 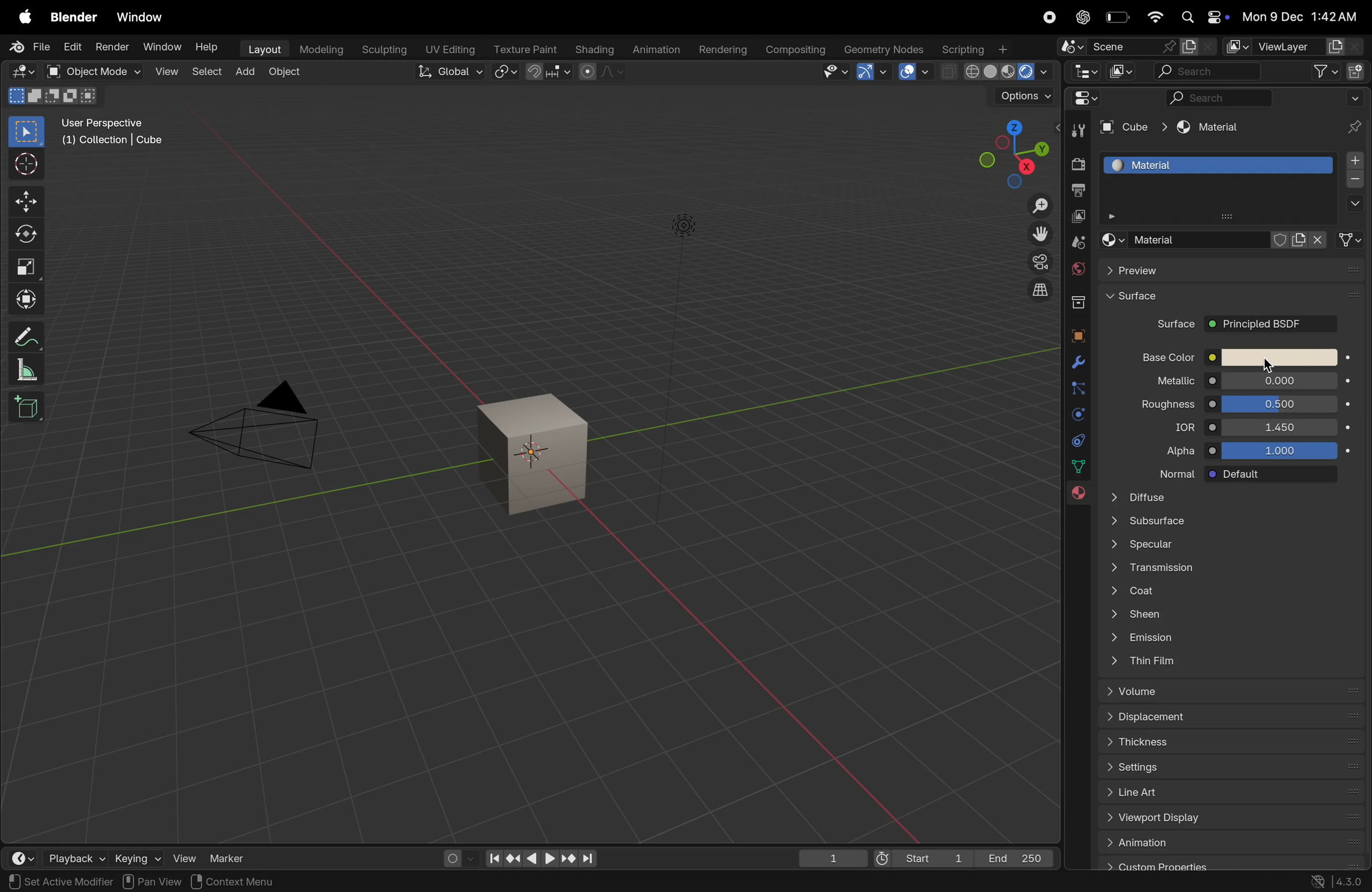 I want to click on editor type, so click(x=14, y=856).